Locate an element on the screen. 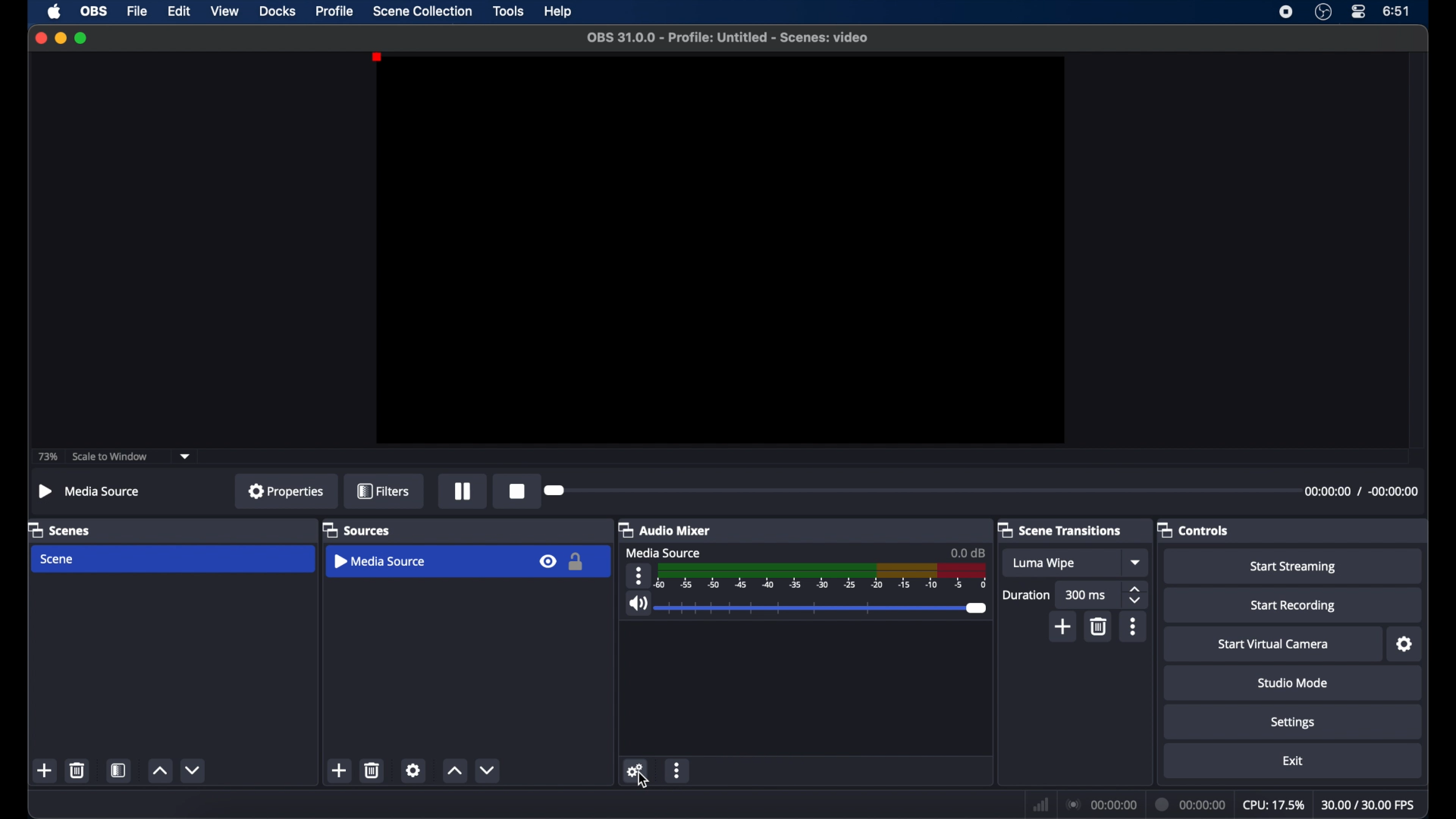  maximize is located at coordinates (82, 38).